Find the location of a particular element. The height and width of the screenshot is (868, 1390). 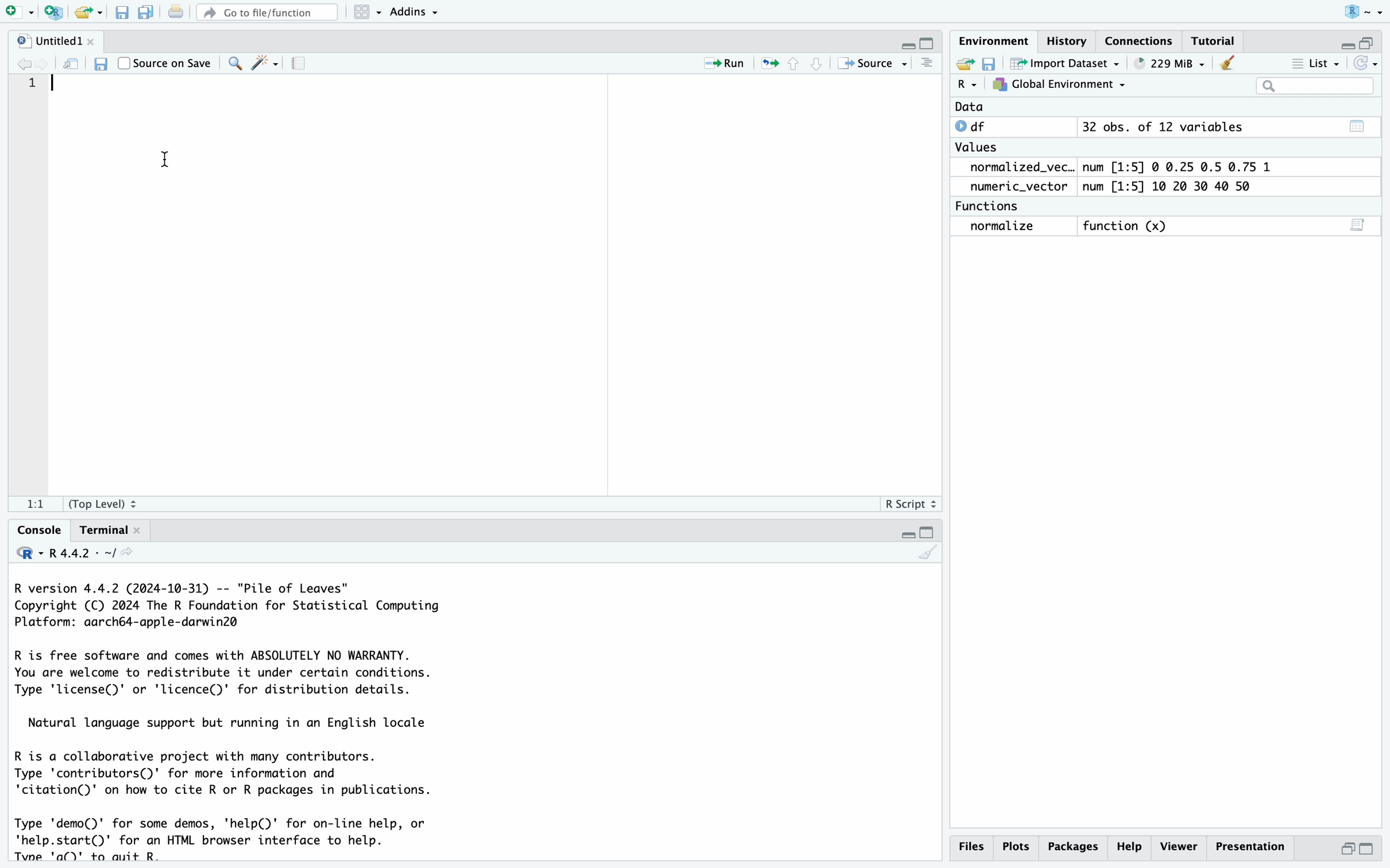

create a project is located at coordinates (53, 13).